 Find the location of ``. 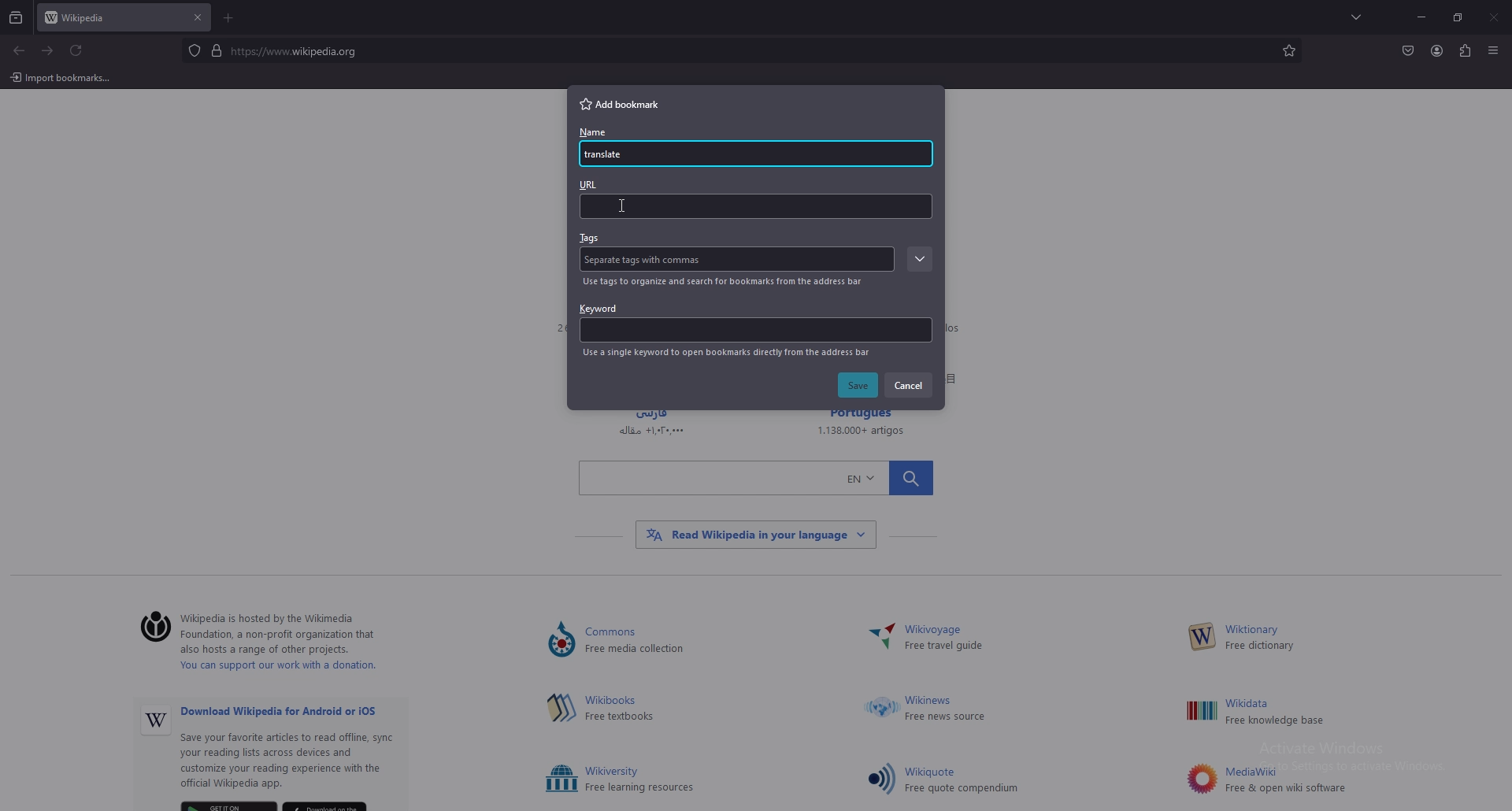

 is located at coordinates (560, 707).